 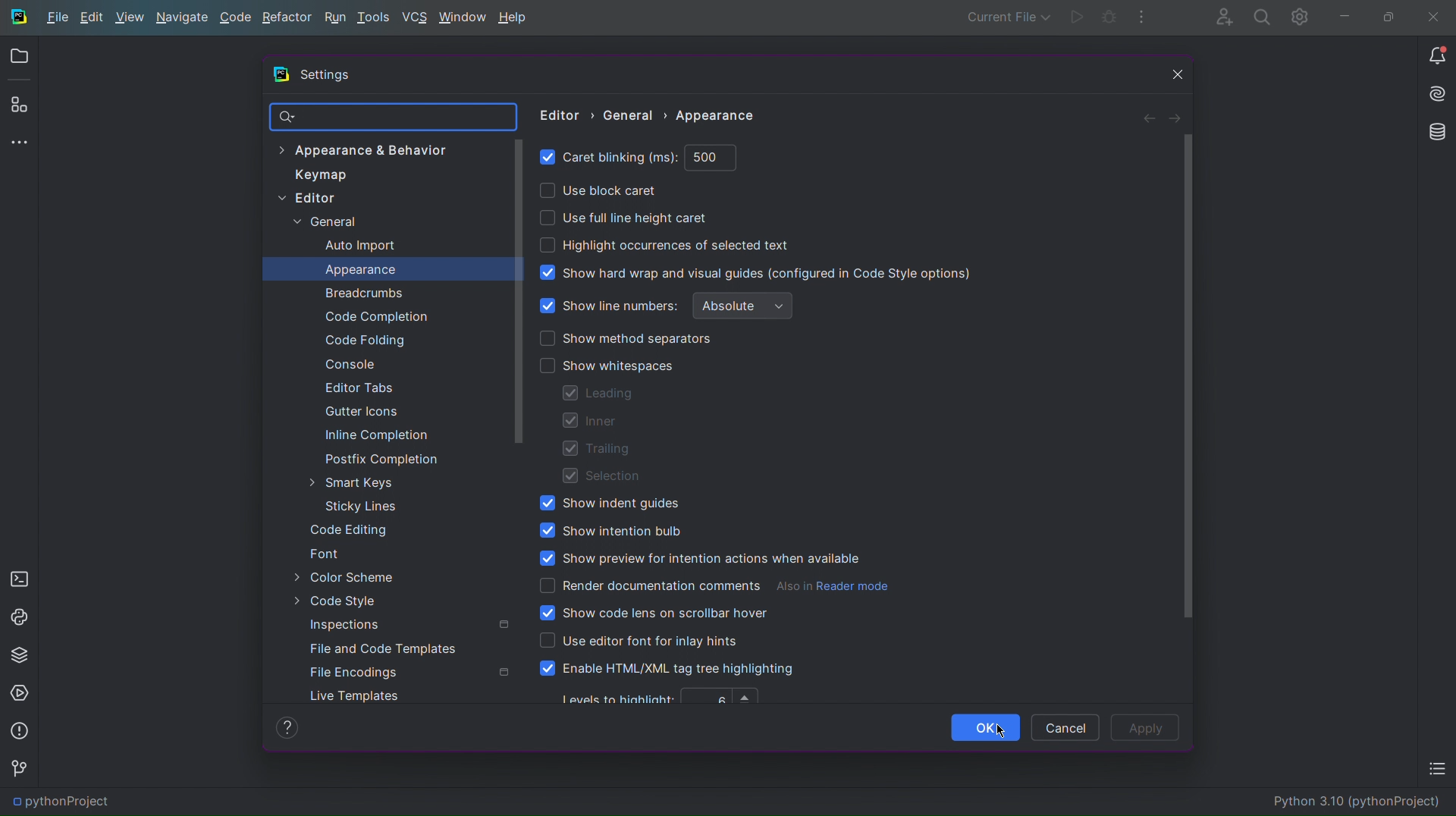 What do you see at coordinates (383, 458) in the screenshot?
I see `Postfix Completion` at bounding box center [383, 458].